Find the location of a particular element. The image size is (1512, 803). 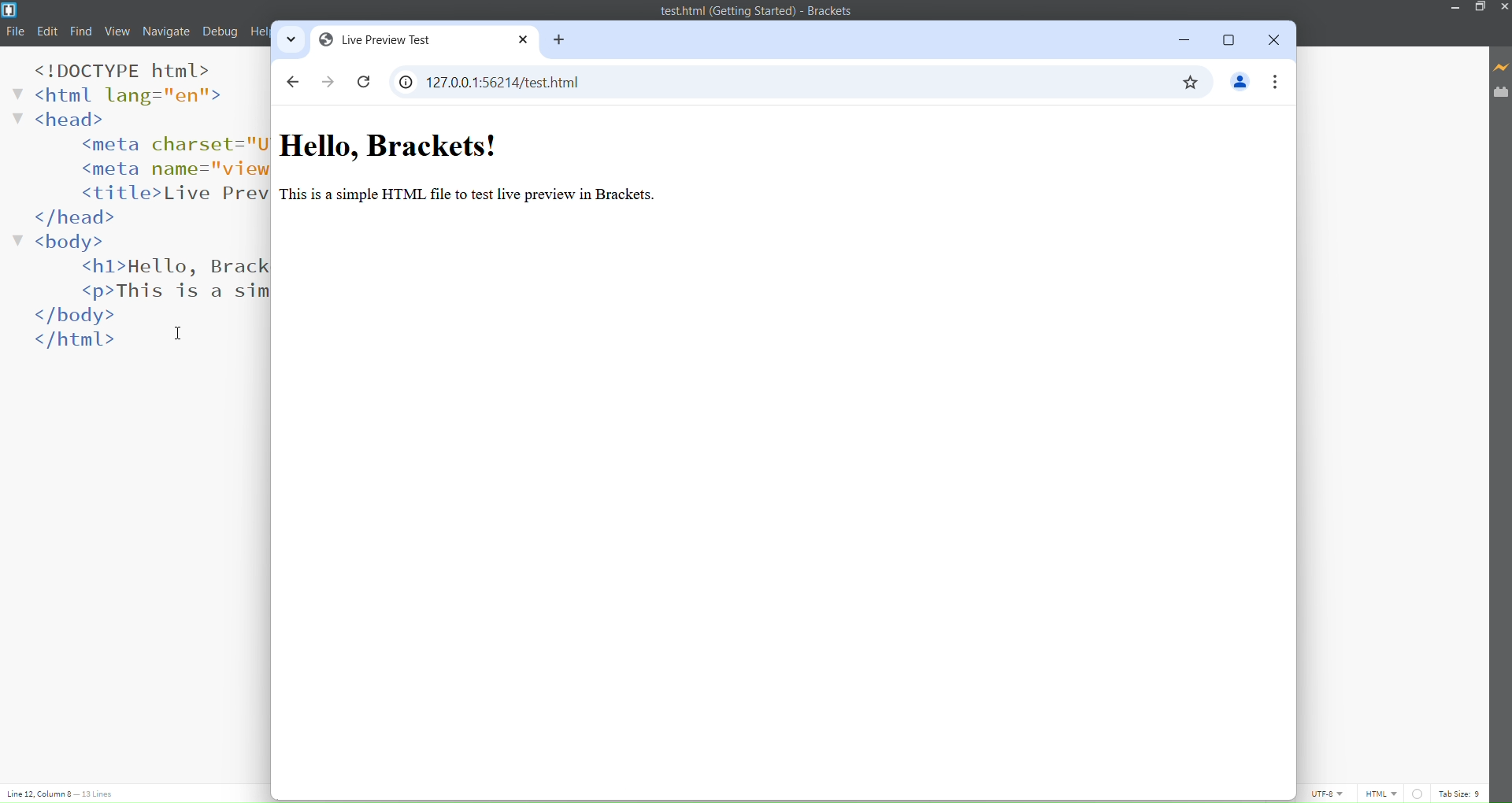

Close is located at coordinates (1503, 6).